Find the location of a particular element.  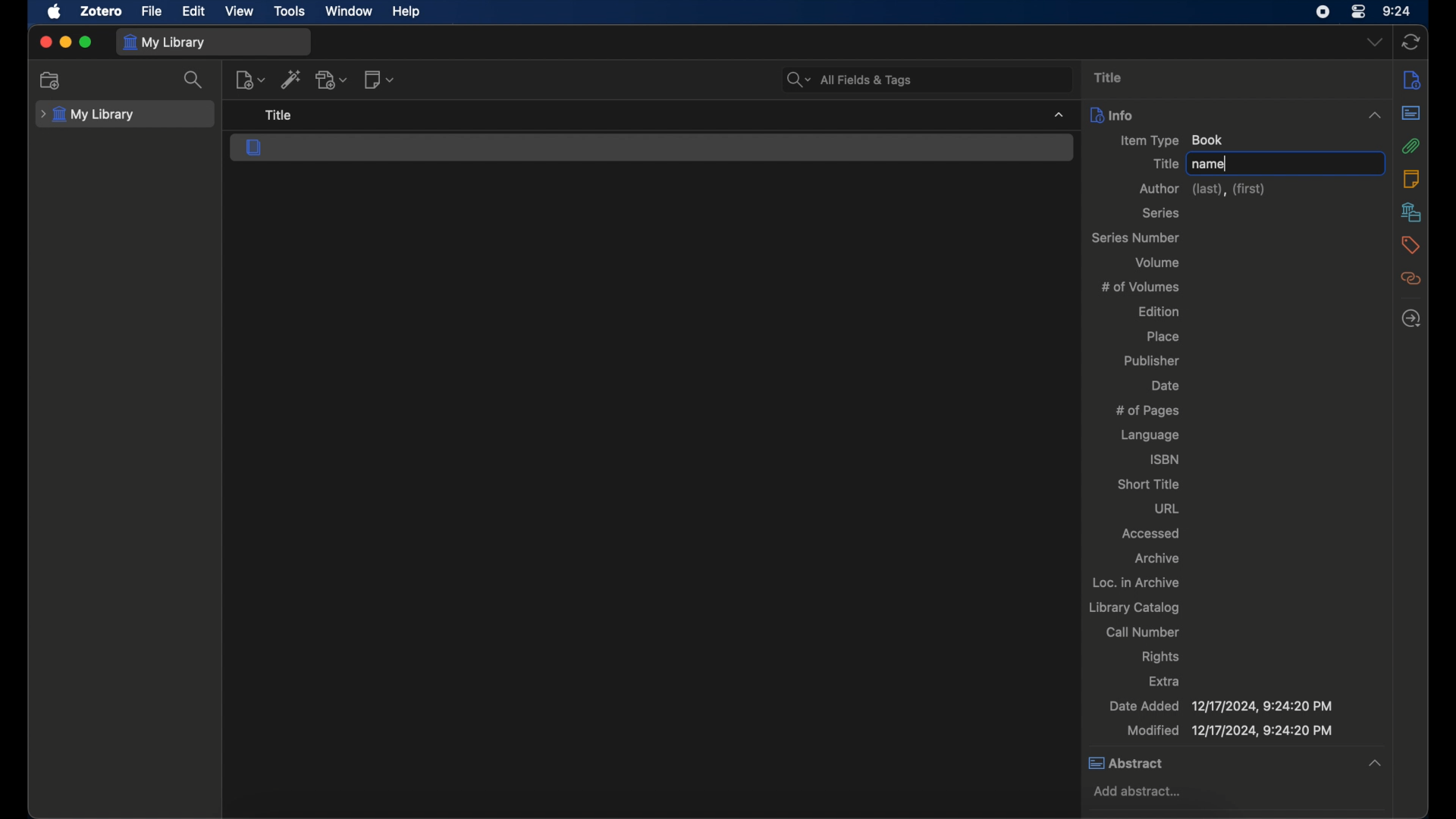

publisher is located at coordinates (1151, 360).